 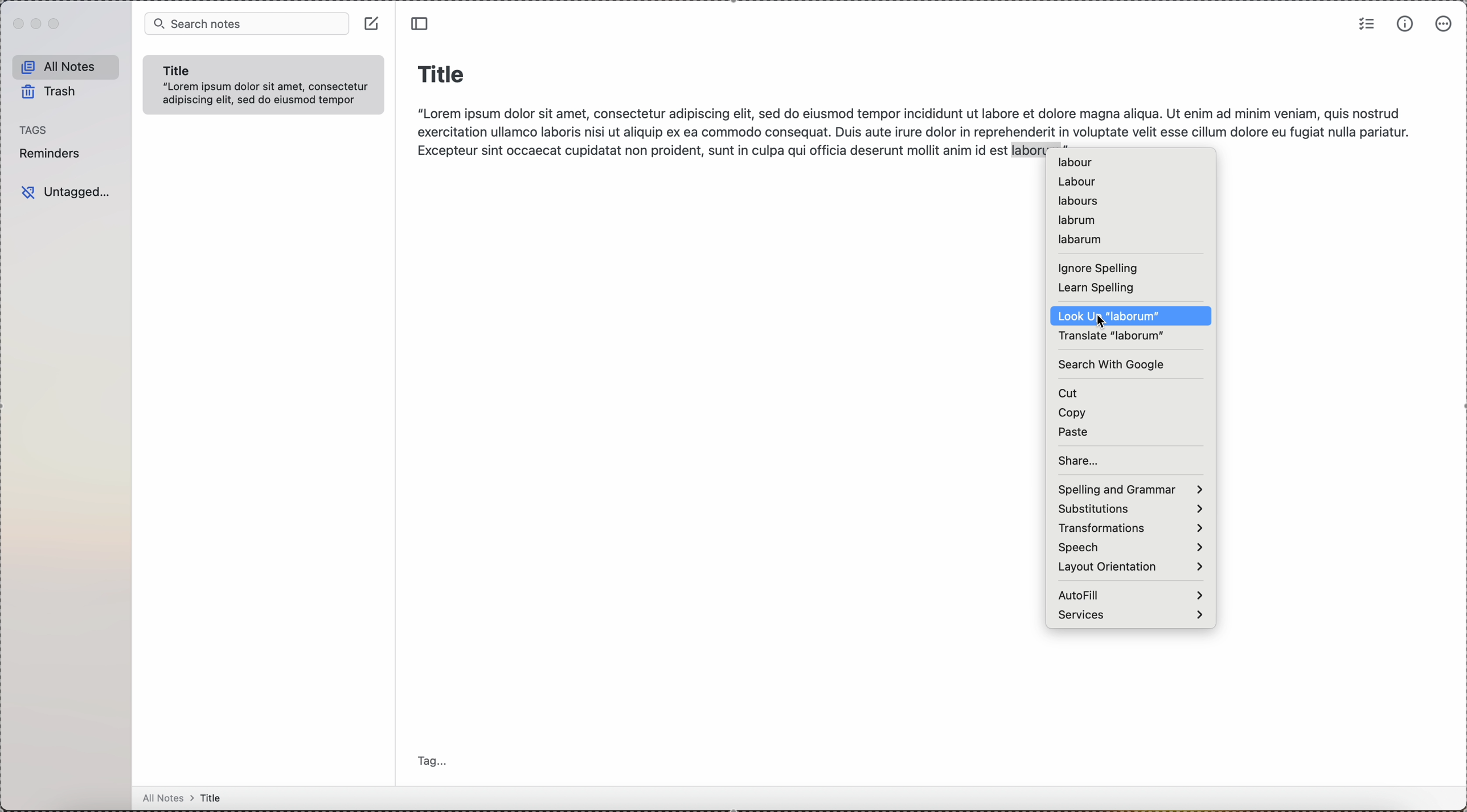 I want to click on create note, so click(x=370, y=23).